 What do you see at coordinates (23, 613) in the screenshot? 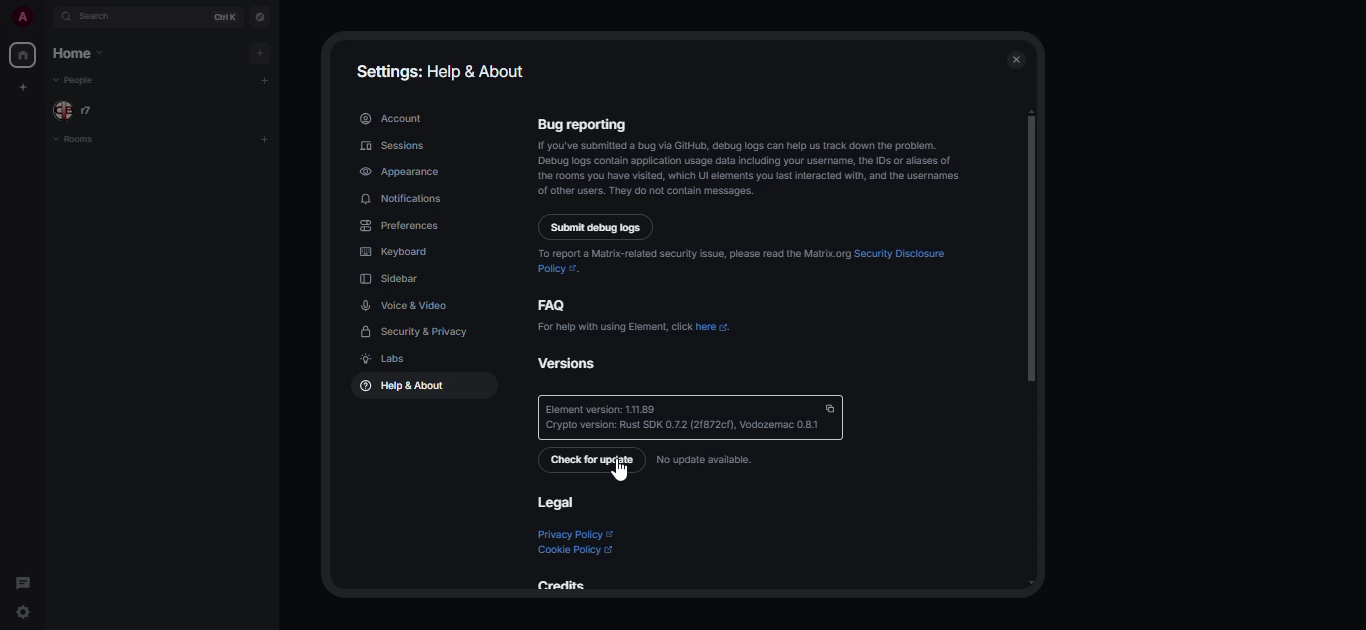
I see `quick settings` at bounding box center [23, 613].